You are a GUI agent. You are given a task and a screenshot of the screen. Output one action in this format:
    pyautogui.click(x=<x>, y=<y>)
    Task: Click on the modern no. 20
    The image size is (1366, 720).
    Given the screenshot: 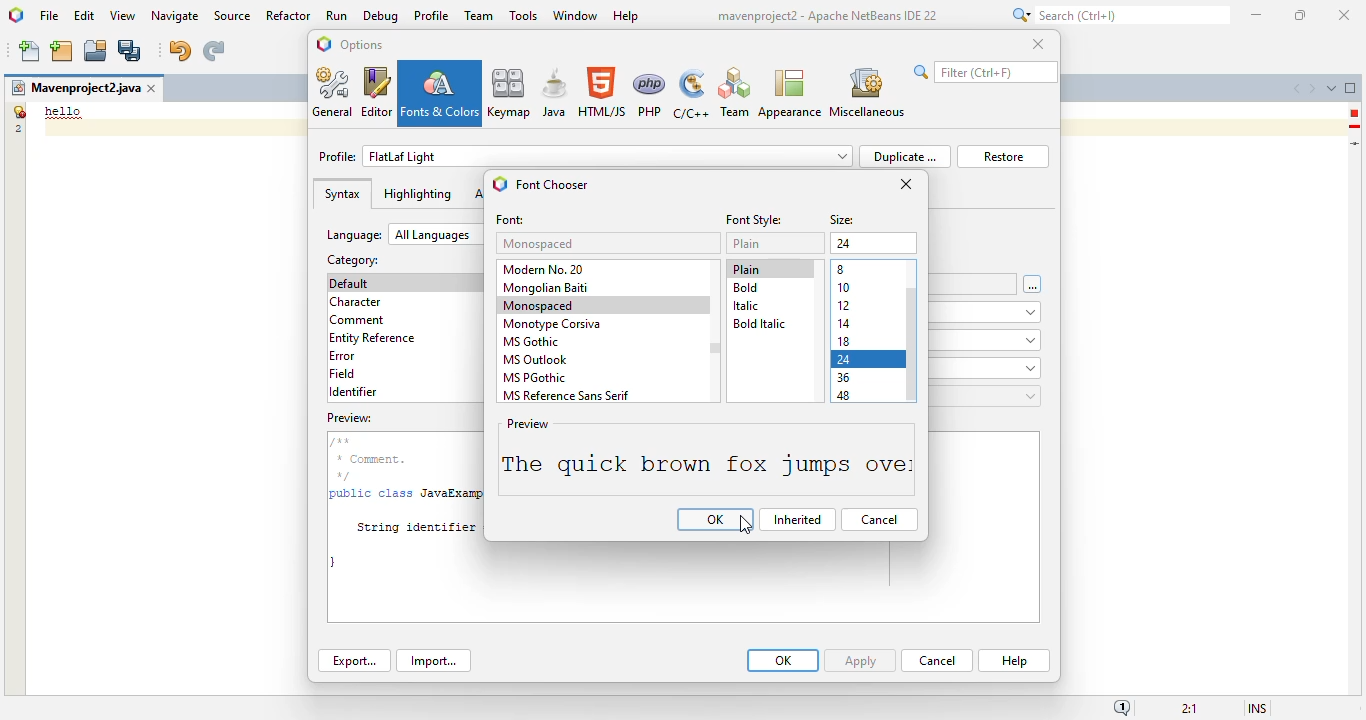 What is the action you would take?
    pyautogui.click(x=545, y=269)
    